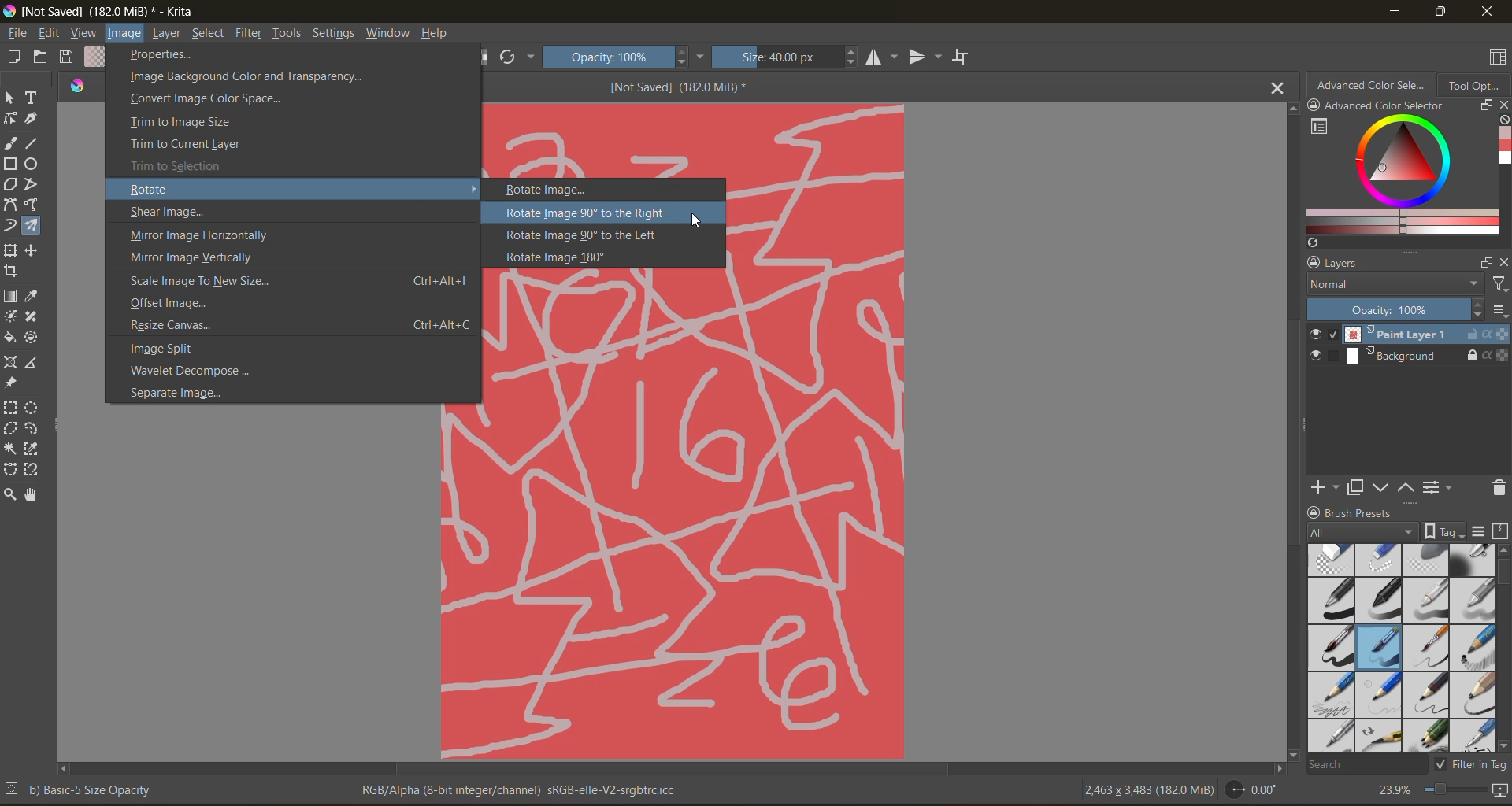 This screenshot has height=806, width=1512. Describe the element at coordinates (1316, 512) in the screenshot. I see `lock docker` at that location.